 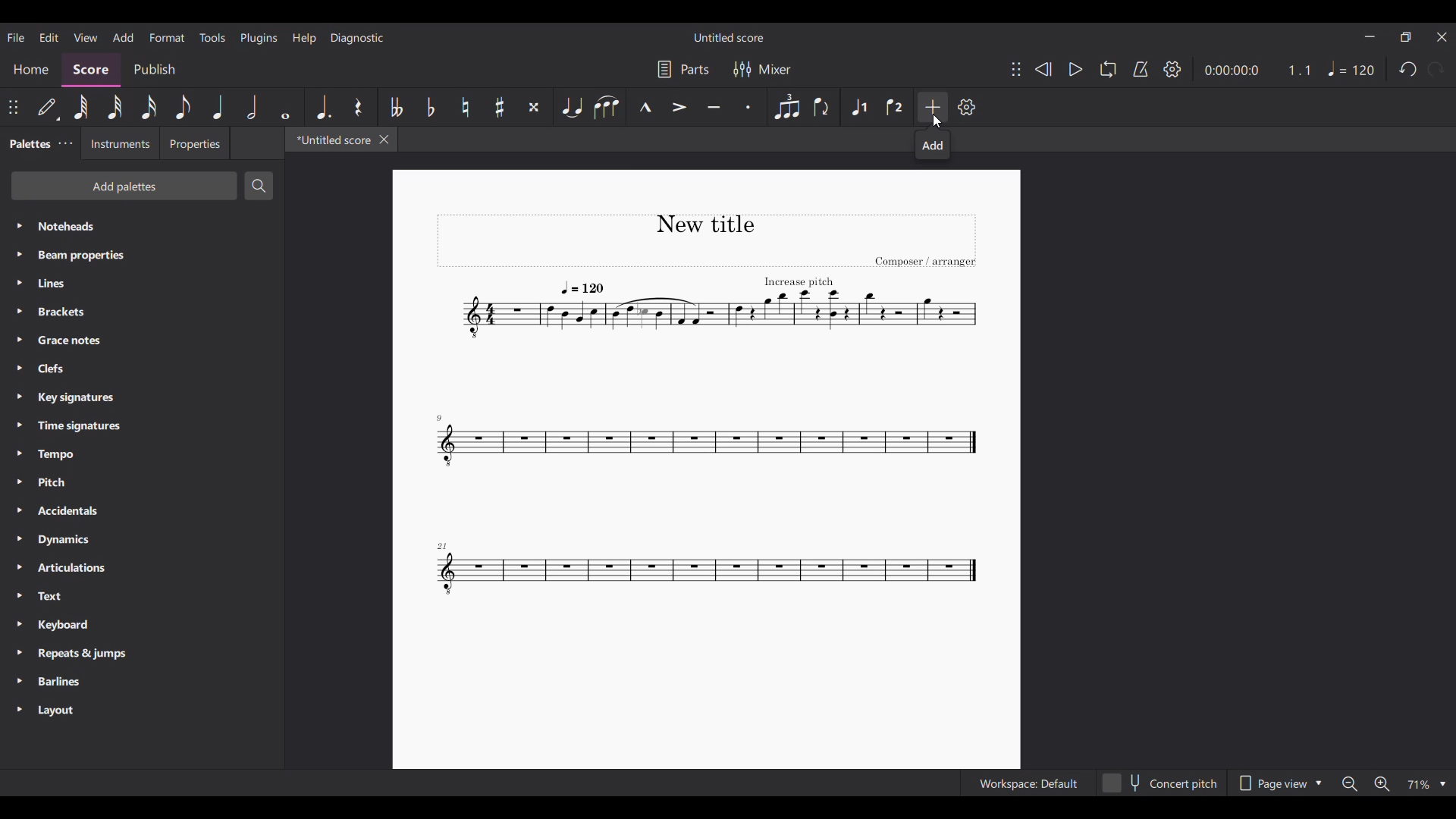 What do you see at coordinates (934, 107) in the screenshot?
I see `Add` at bounding box center [934, 107].